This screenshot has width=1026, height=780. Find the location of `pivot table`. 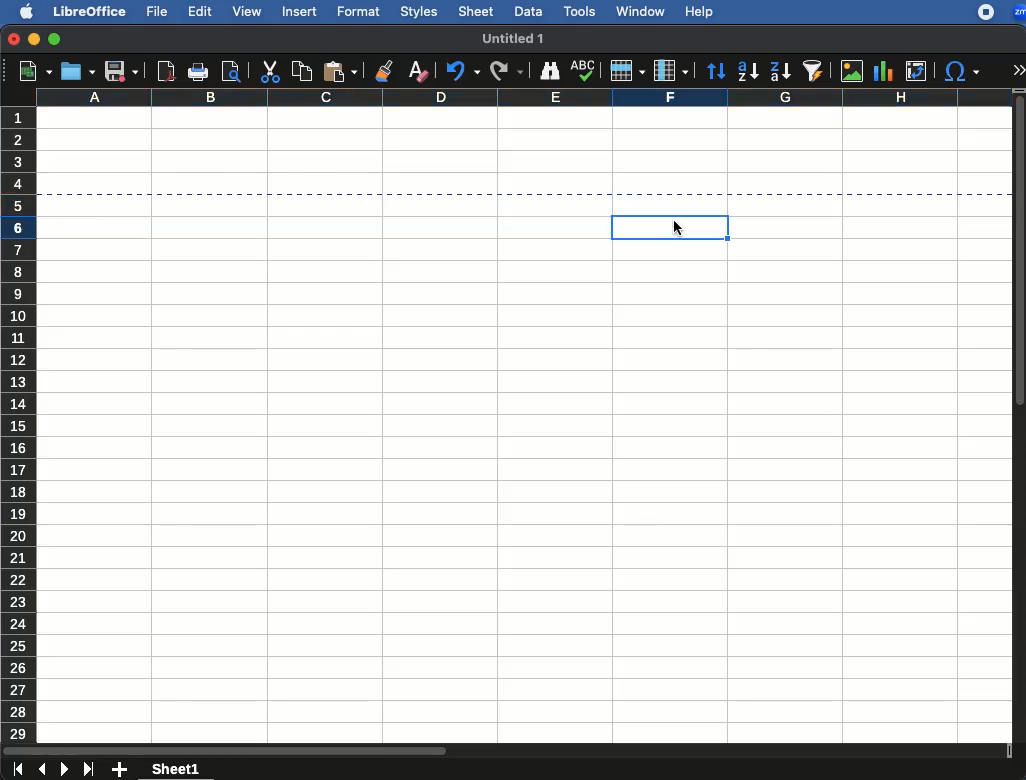

pivot table is located at coordinates (914, 70).